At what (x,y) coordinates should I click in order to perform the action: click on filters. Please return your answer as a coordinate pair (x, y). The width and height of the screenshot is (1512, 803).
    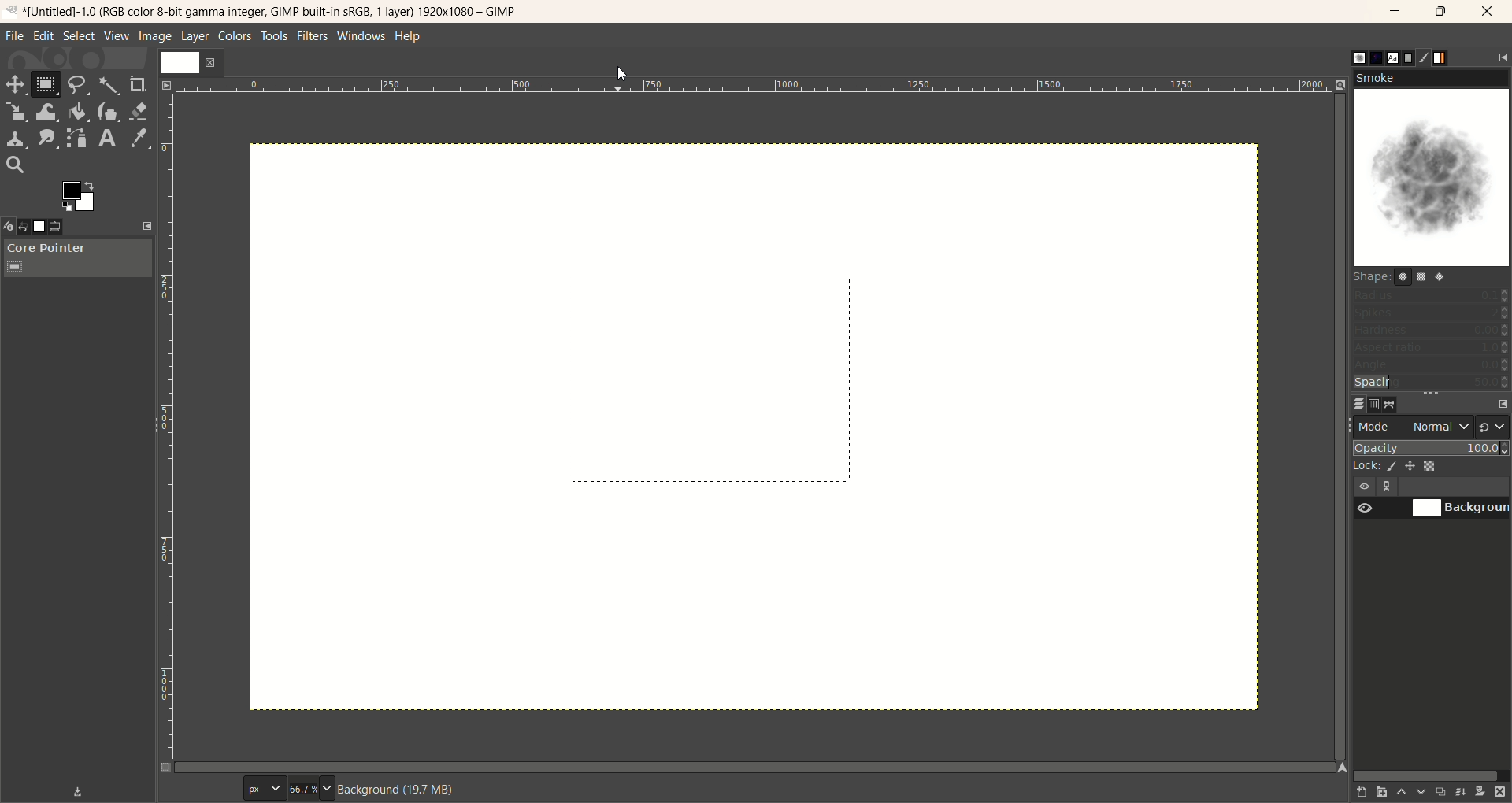
    Looking at the image, I should click on (311, 36).